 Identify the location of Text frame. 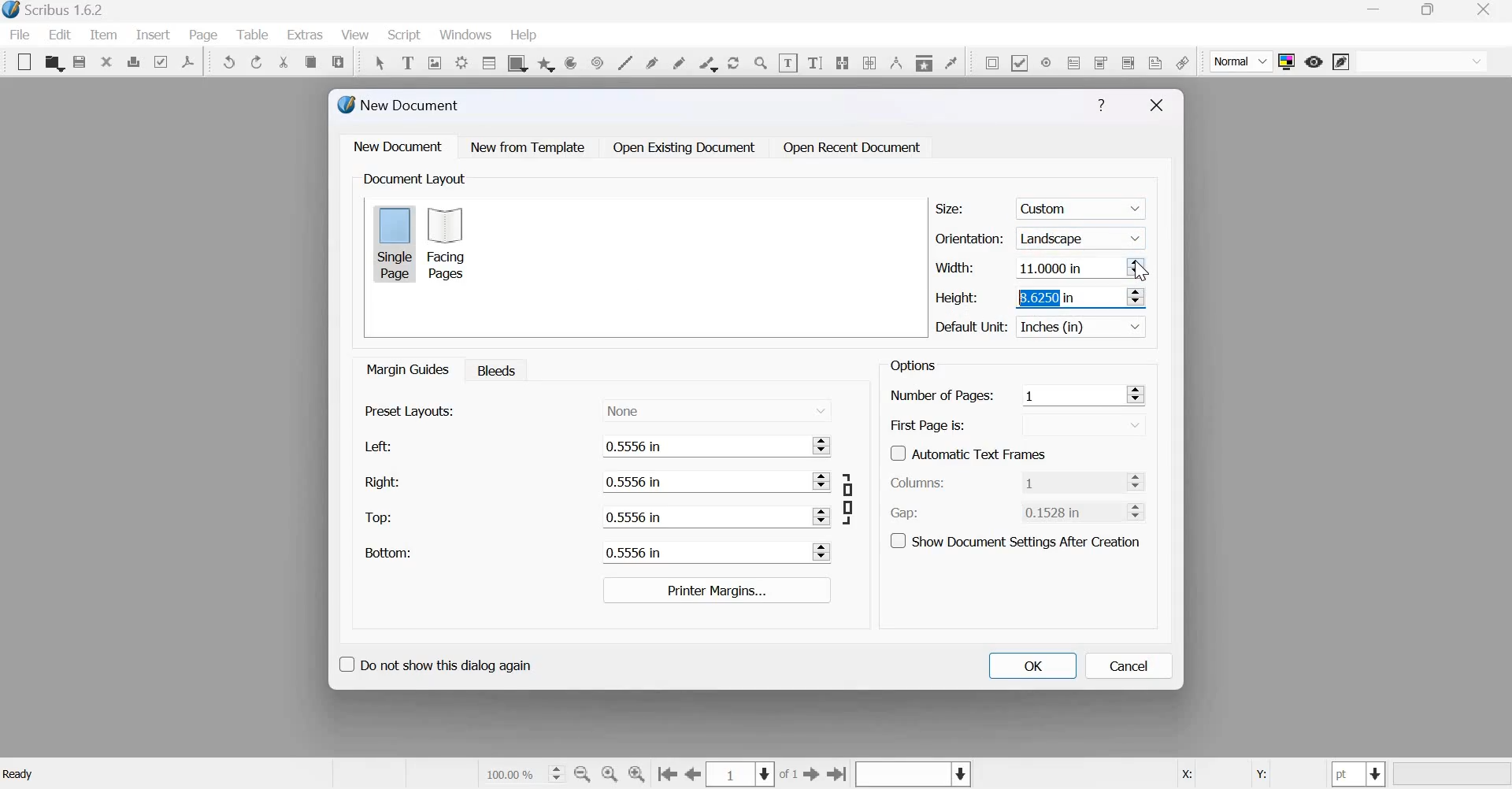
(407, 61).